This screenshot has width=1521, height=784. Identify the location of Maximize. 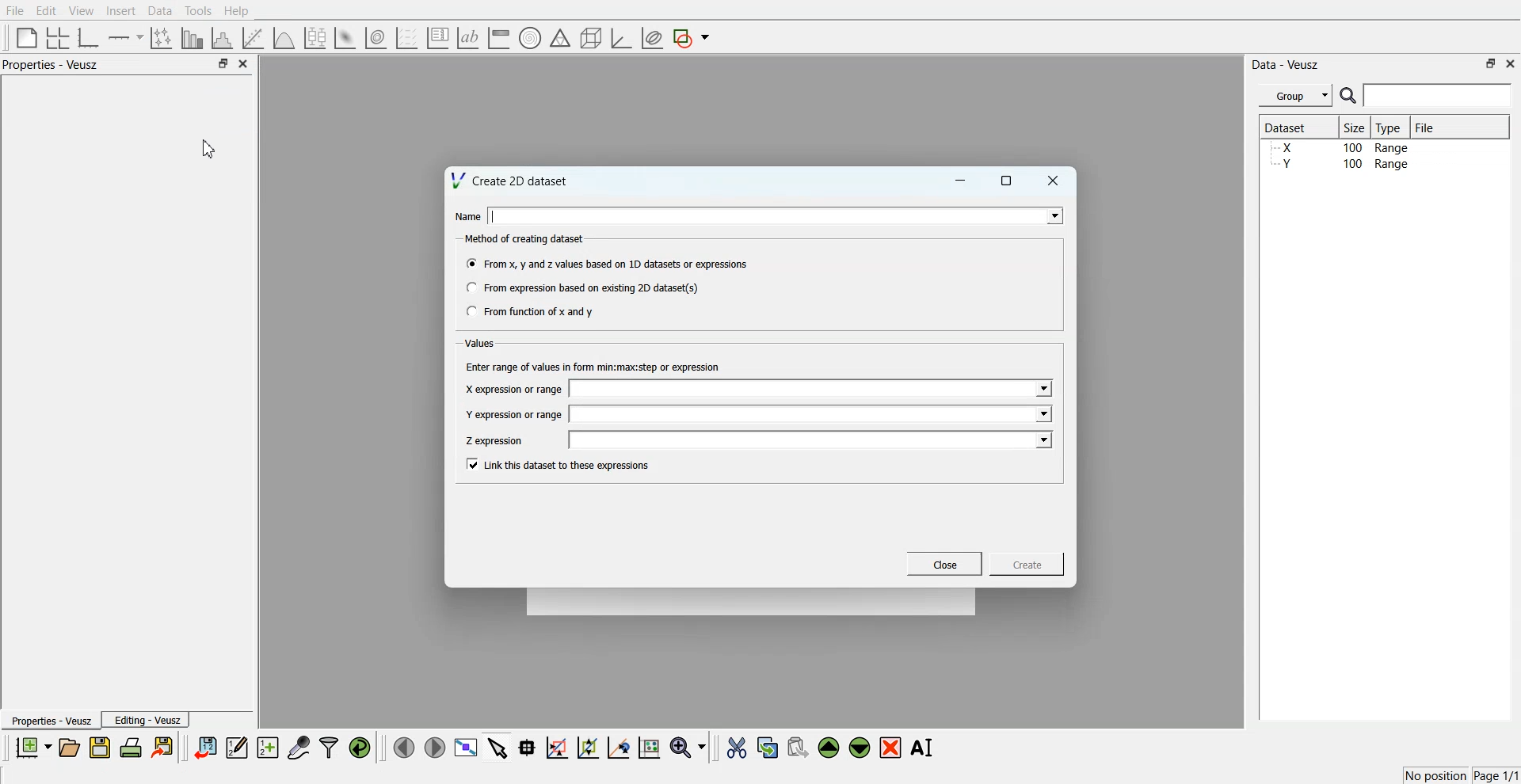
(223, 63).